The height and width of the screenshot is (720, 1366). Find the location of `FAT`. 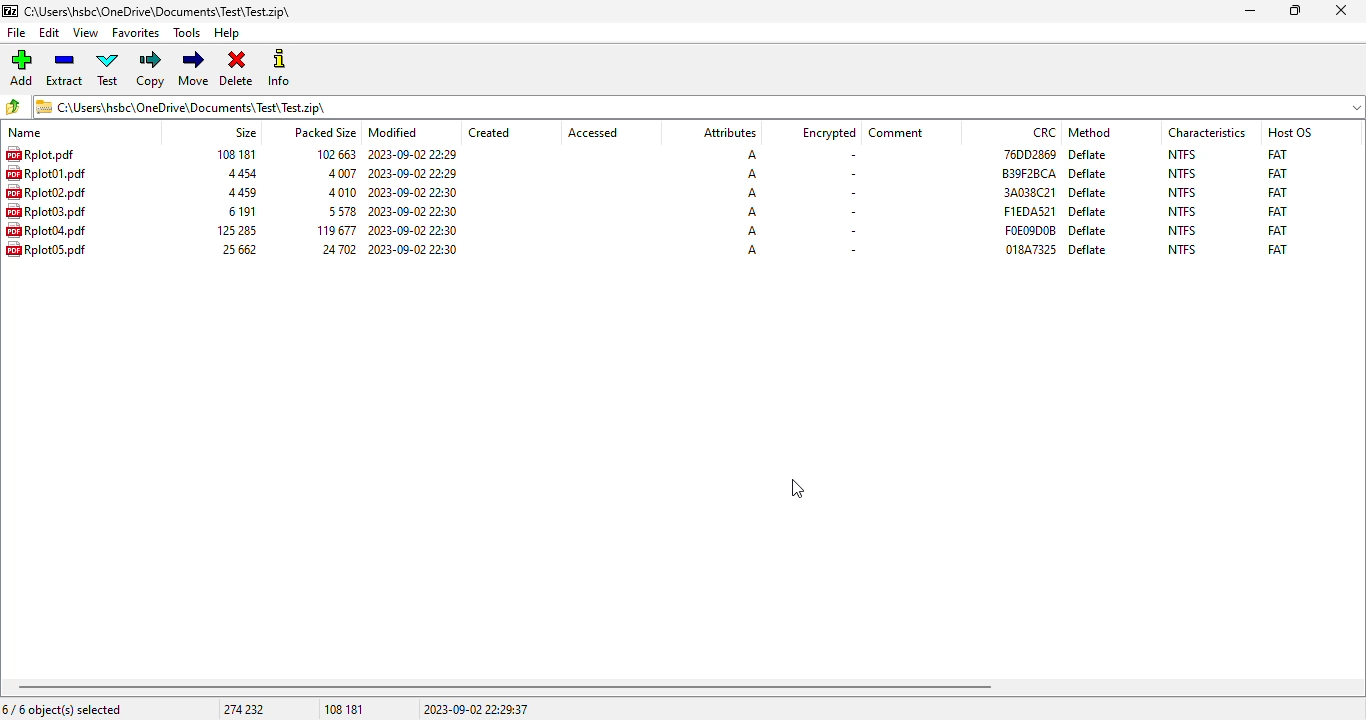

FAT is located at coordinates (1277, 192).